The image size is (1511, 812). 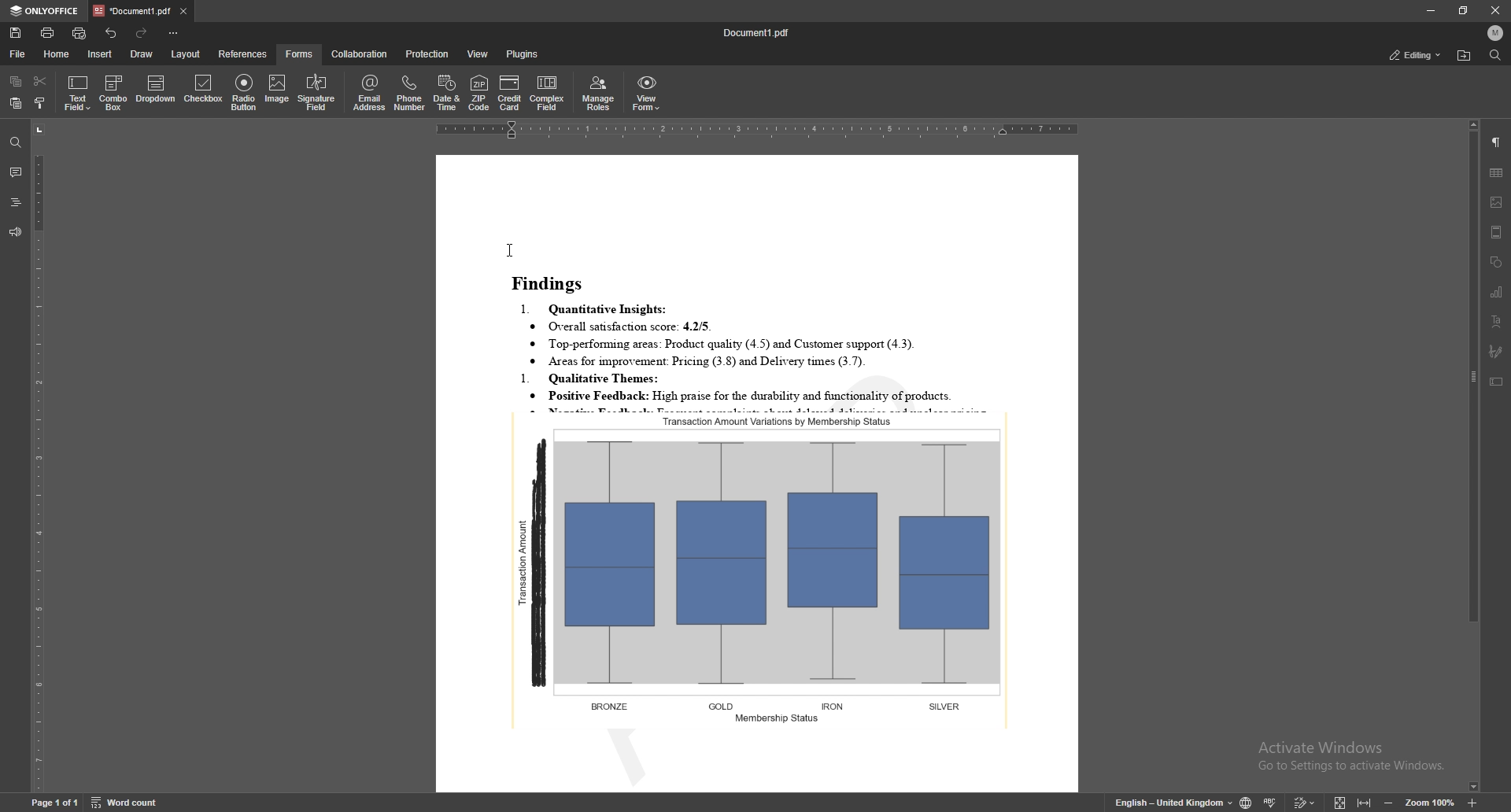 I want to click on zip code, so click(x=479, y=94).